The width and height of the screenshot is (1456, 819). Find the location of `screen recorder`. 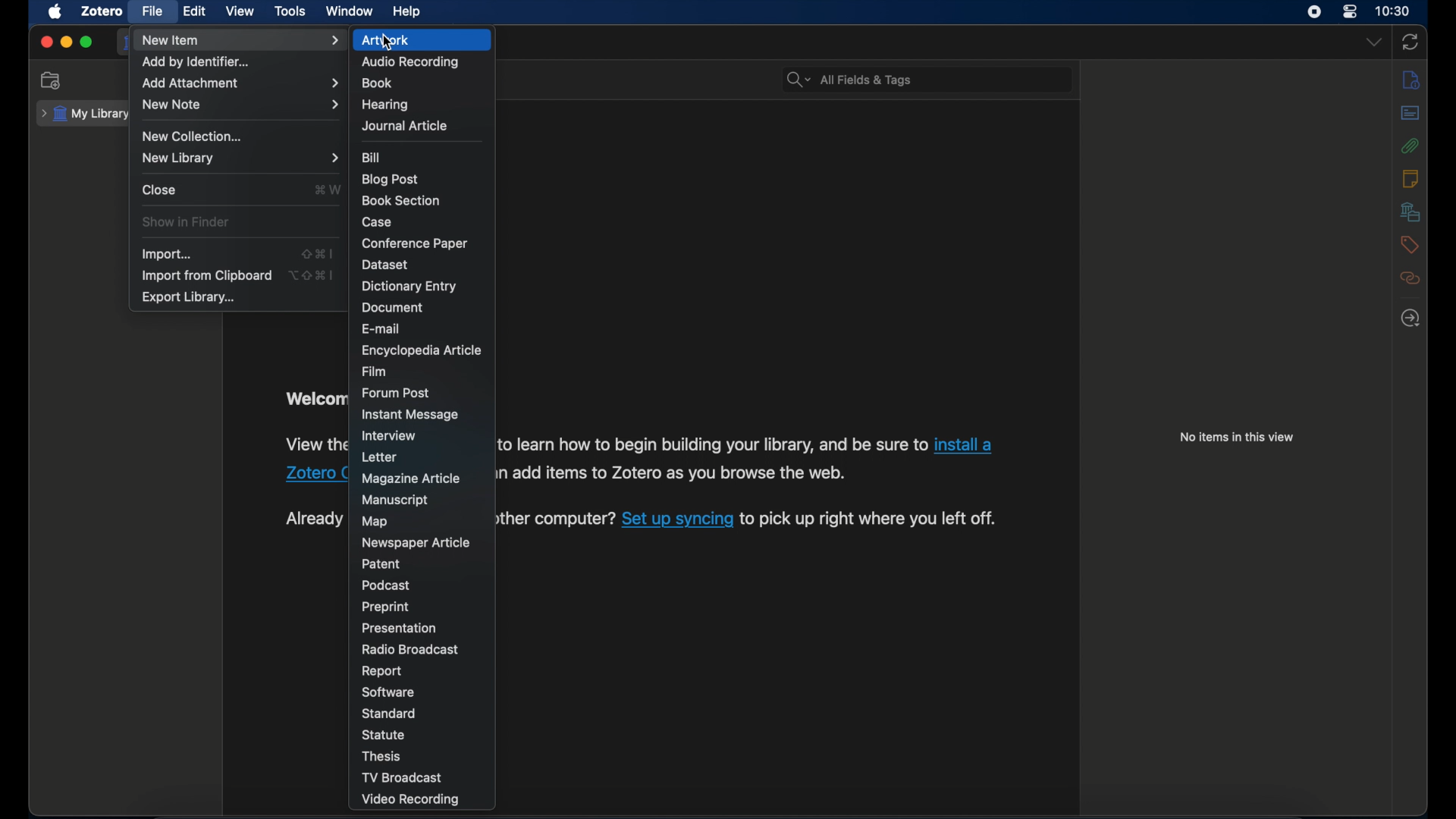

screen recorder is located at coordinates (1314, 12).